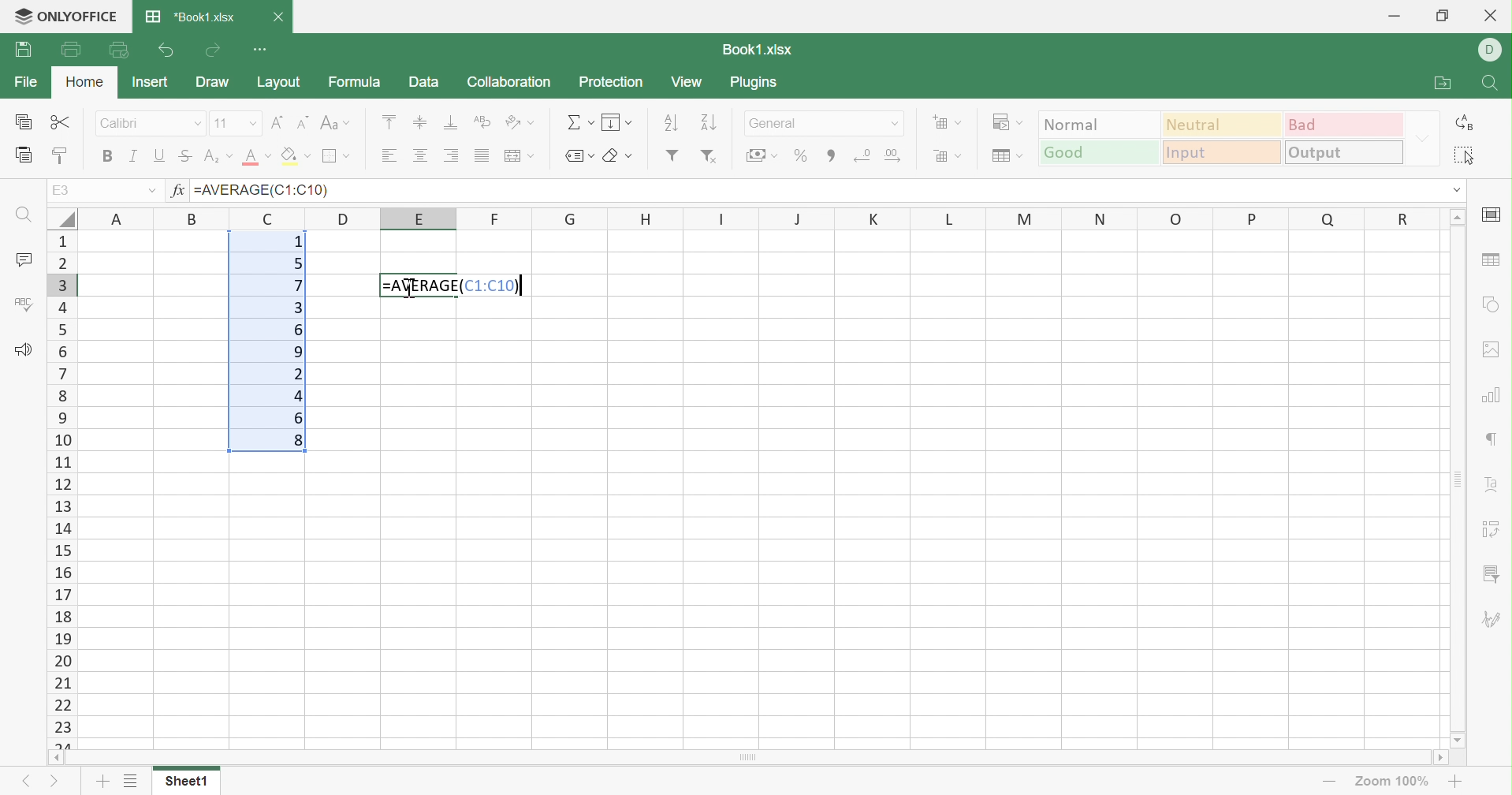  Describe the element at coordinates (1220, 153) in the screenshot. I see `Input` at that location.